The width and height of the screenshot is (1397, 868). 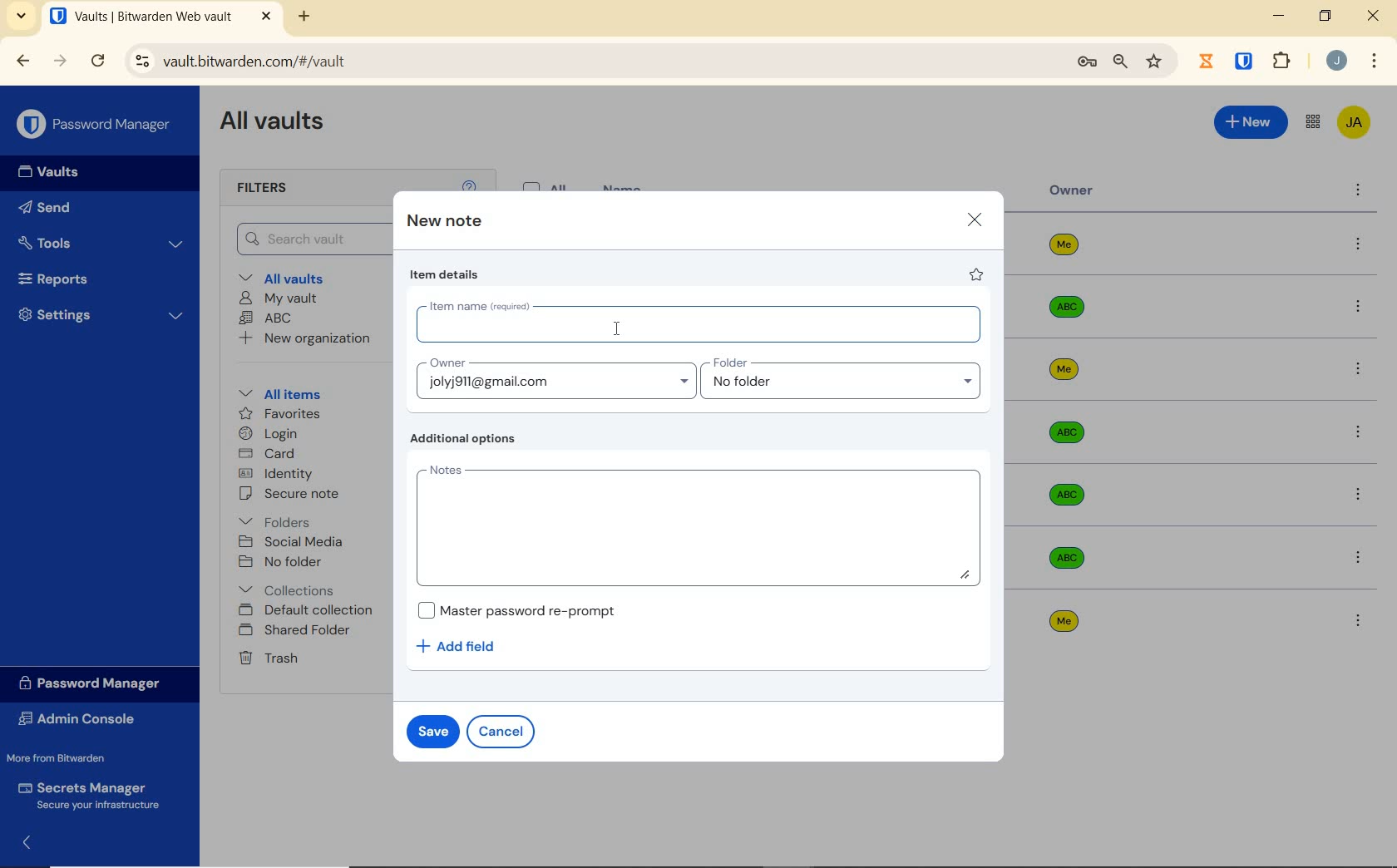 I want to click on more options, so click(x=1360, y=556).